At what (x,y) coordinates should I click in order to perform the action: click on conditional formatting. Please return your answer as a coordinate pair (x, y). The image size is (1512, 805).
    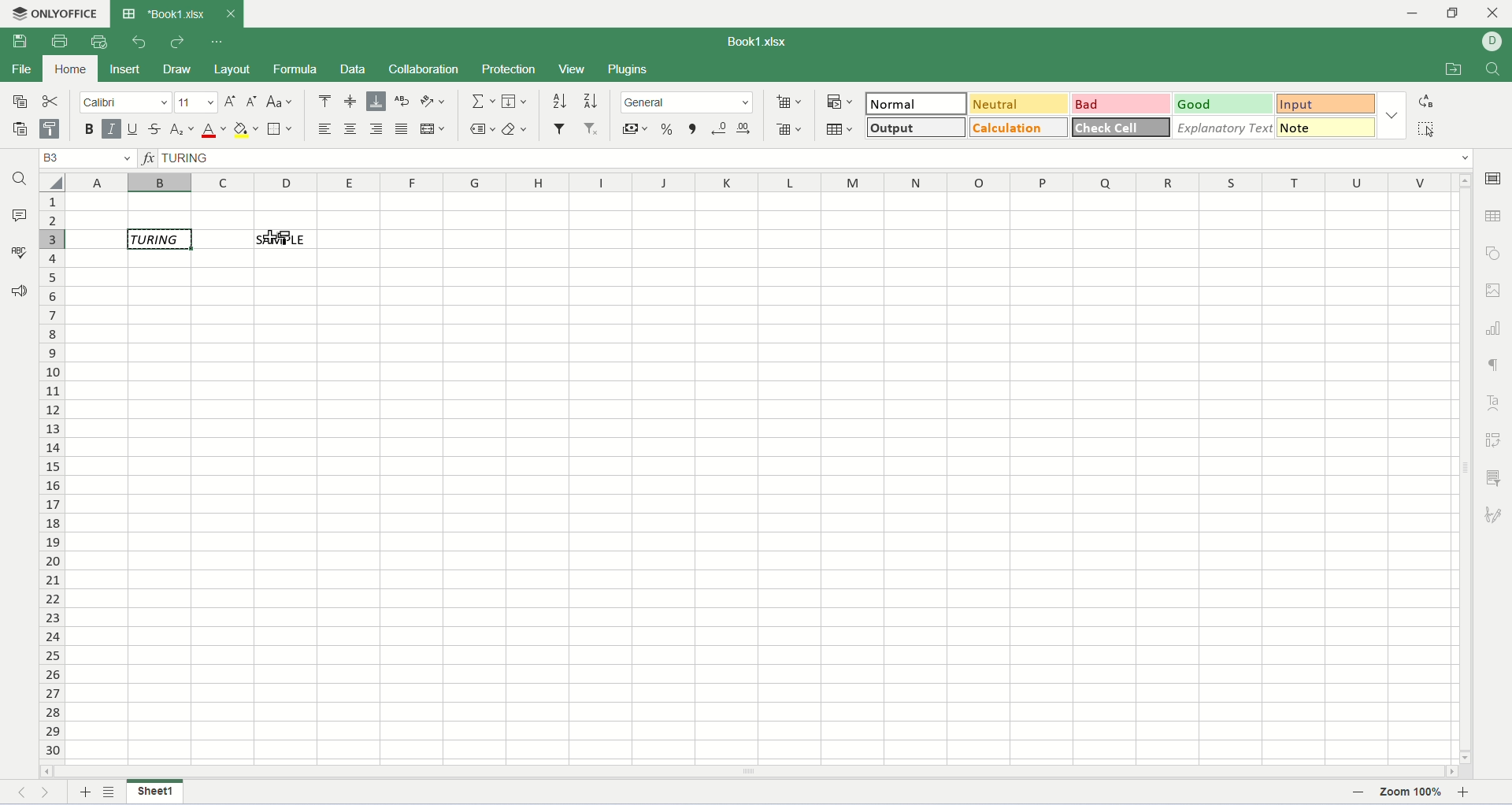
    Looking at the image, I should click on (841, 102).